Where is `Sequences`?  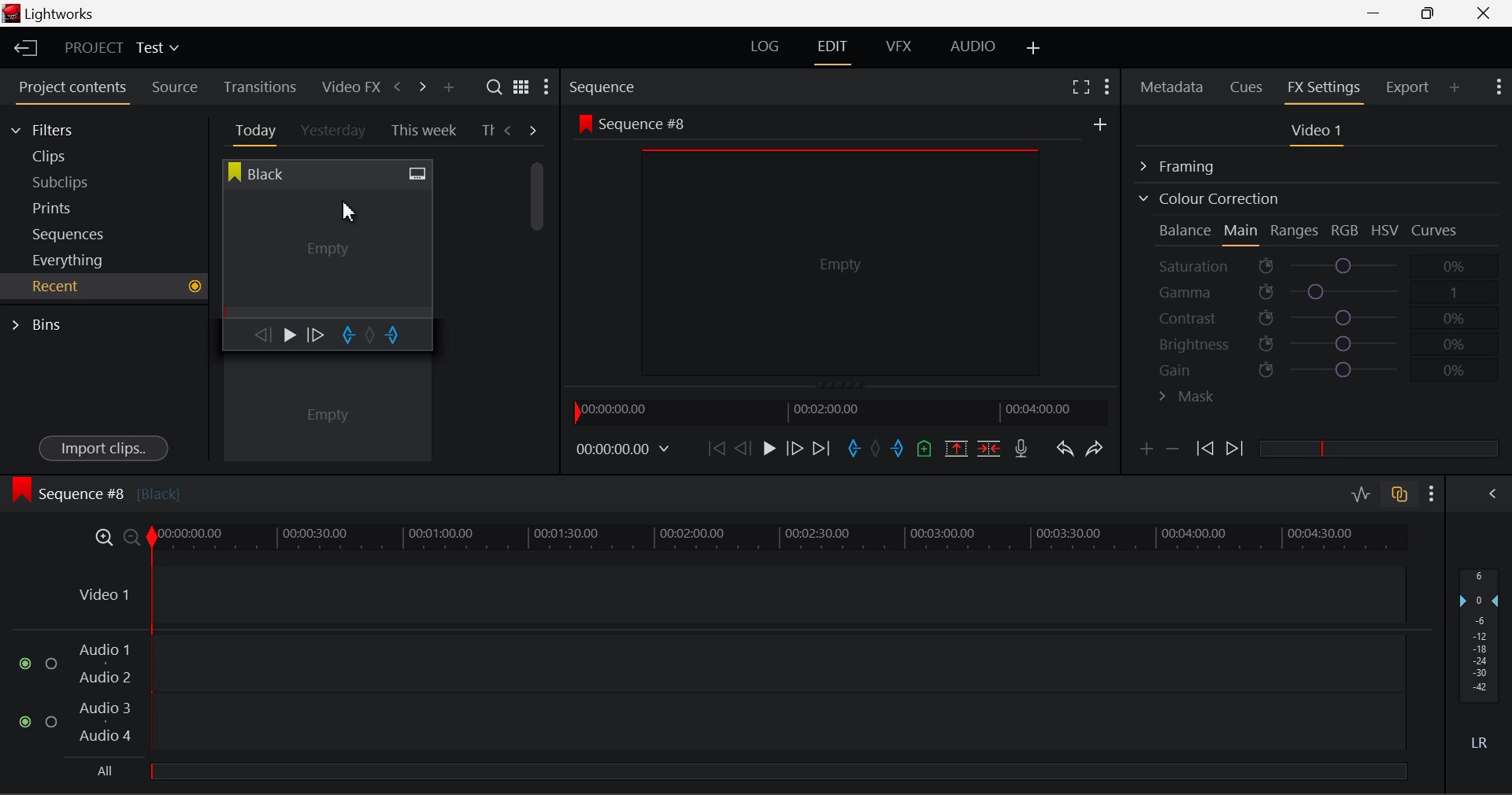
Sequences is located at coordinates (72, 232).